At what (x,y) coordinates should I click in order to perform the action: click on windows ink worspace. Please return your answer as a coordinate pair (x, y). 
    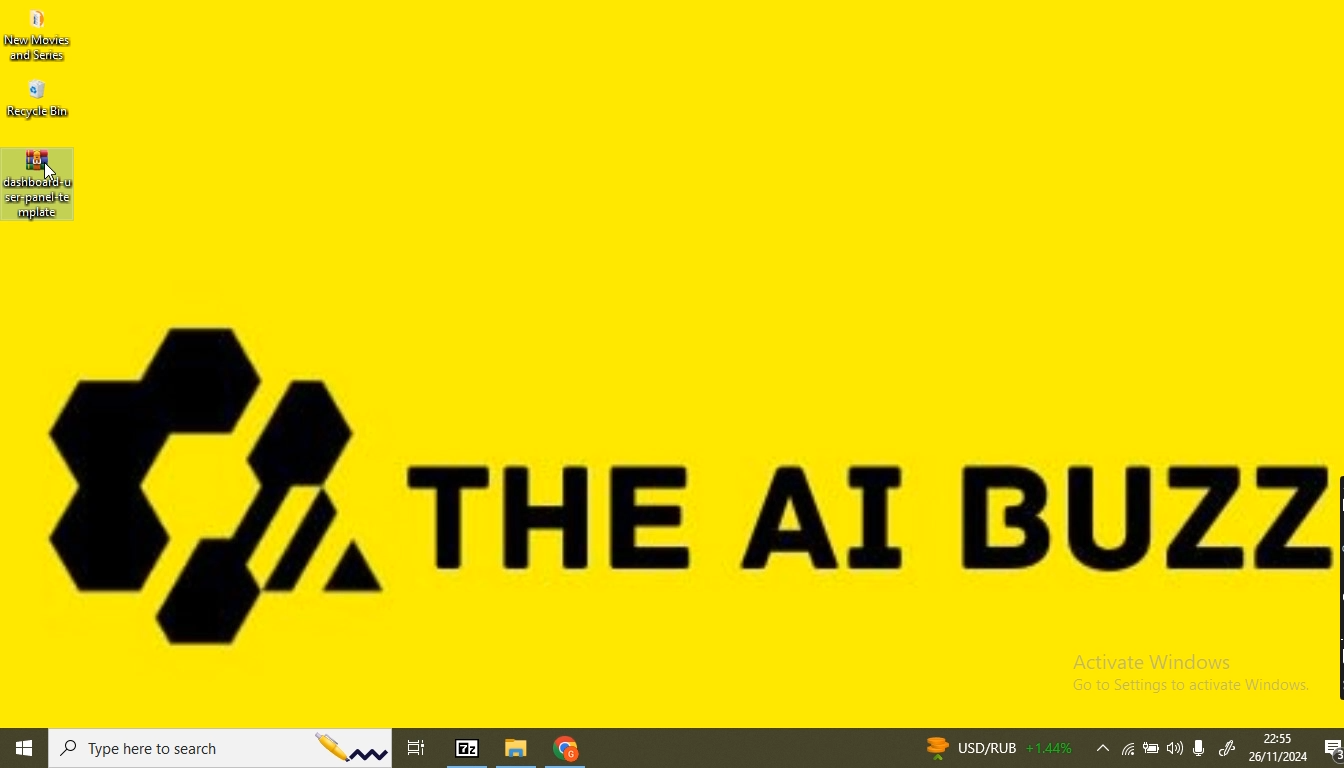
    Looking at the image, I should click on (1228, 750).